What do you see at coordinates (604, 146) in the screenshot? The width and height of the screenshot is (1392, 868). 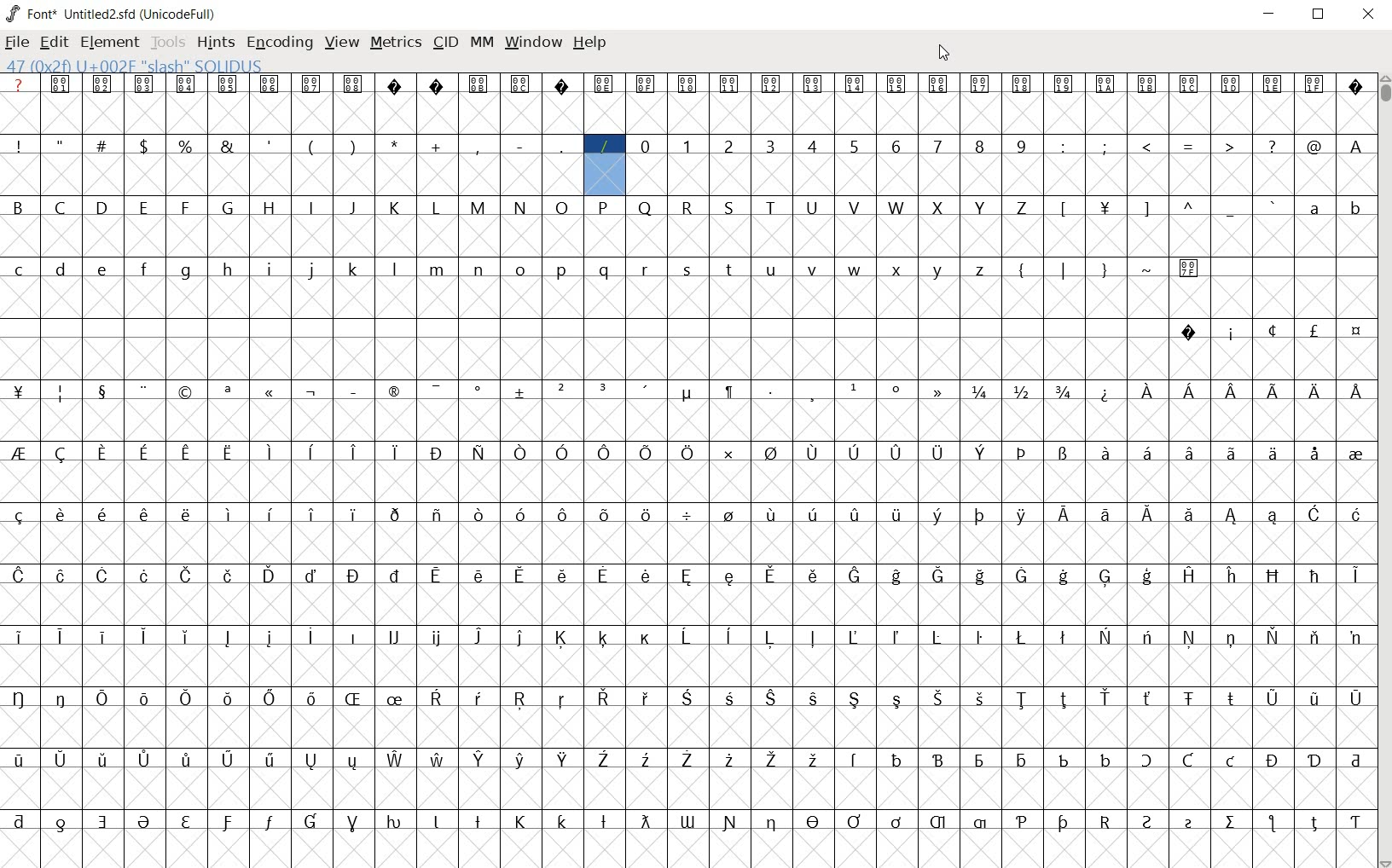 I see `glyph` at bounding box center [604, 146].